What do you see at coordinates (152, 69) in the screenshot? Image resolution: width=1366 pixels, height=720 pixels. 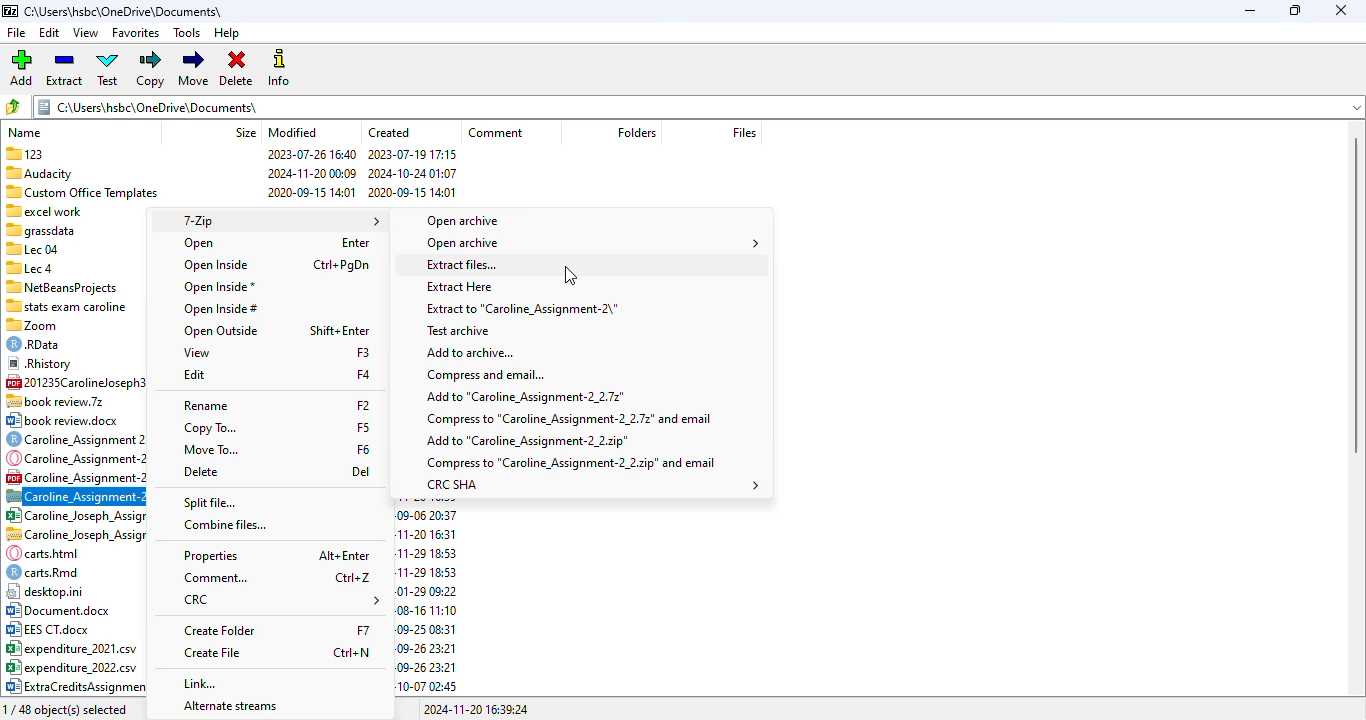 I see `copy` at bounding box center [152, 69].